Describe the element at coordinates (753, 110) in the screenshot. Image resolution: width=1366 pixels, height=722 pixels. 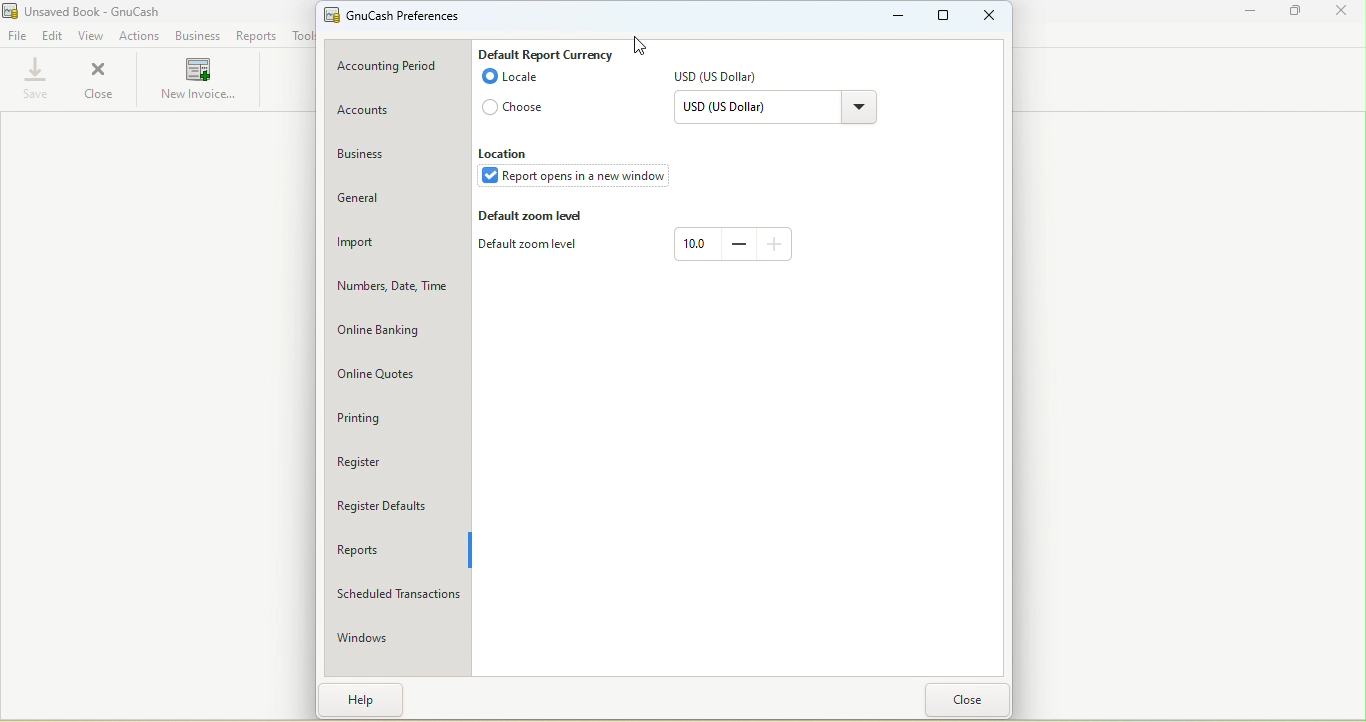
I see `Text box` at that location.